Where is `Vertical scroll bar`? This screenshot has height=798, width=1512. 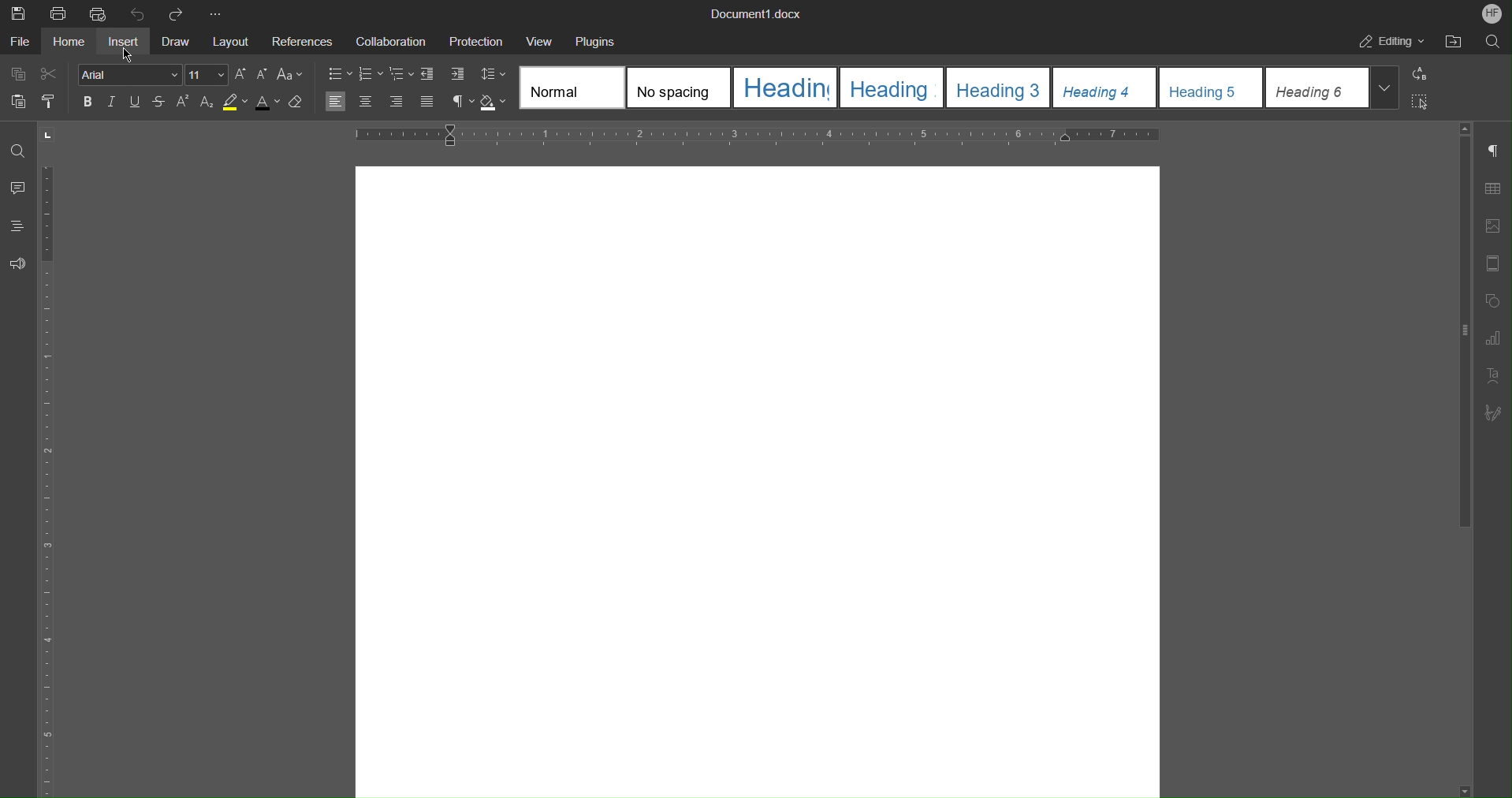
Vertical scroll bar is located at coordinates (1462, 337).